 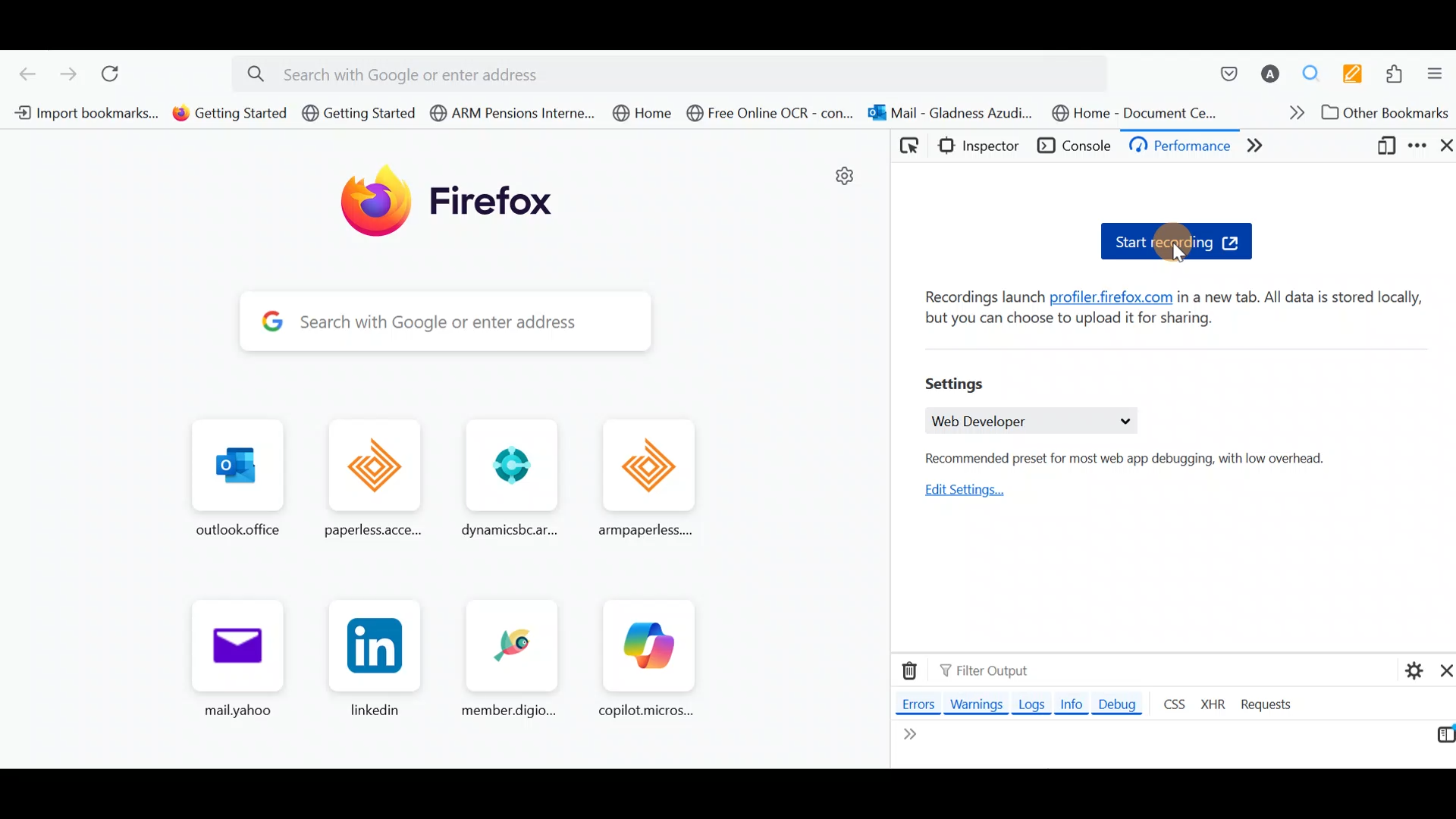 I want to click on Multi keywords highlighter, so click(x=1357, y=74).